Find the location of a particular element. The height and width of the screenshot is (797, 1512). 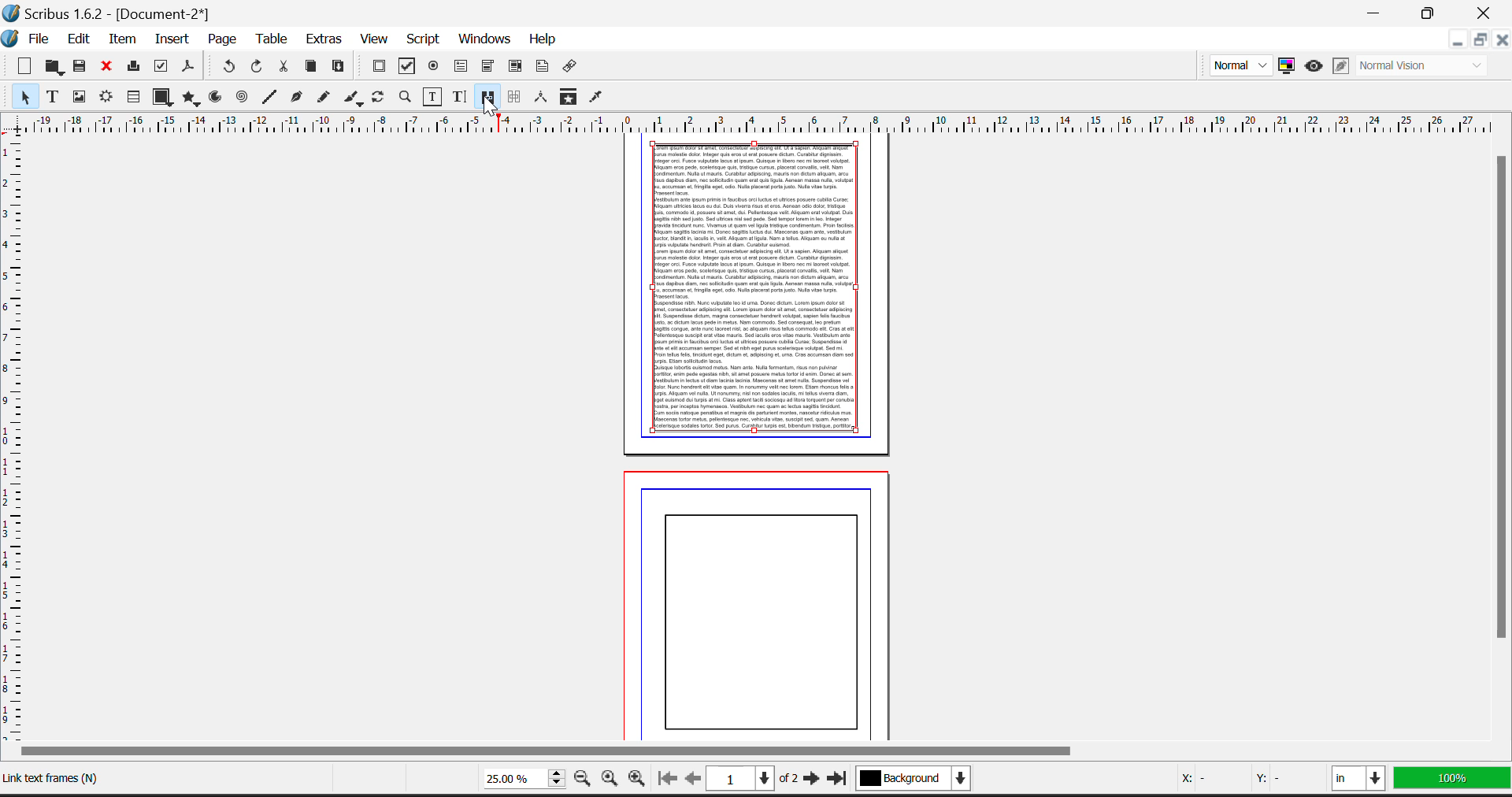

Text Frames is located at coordinates (53, 98).